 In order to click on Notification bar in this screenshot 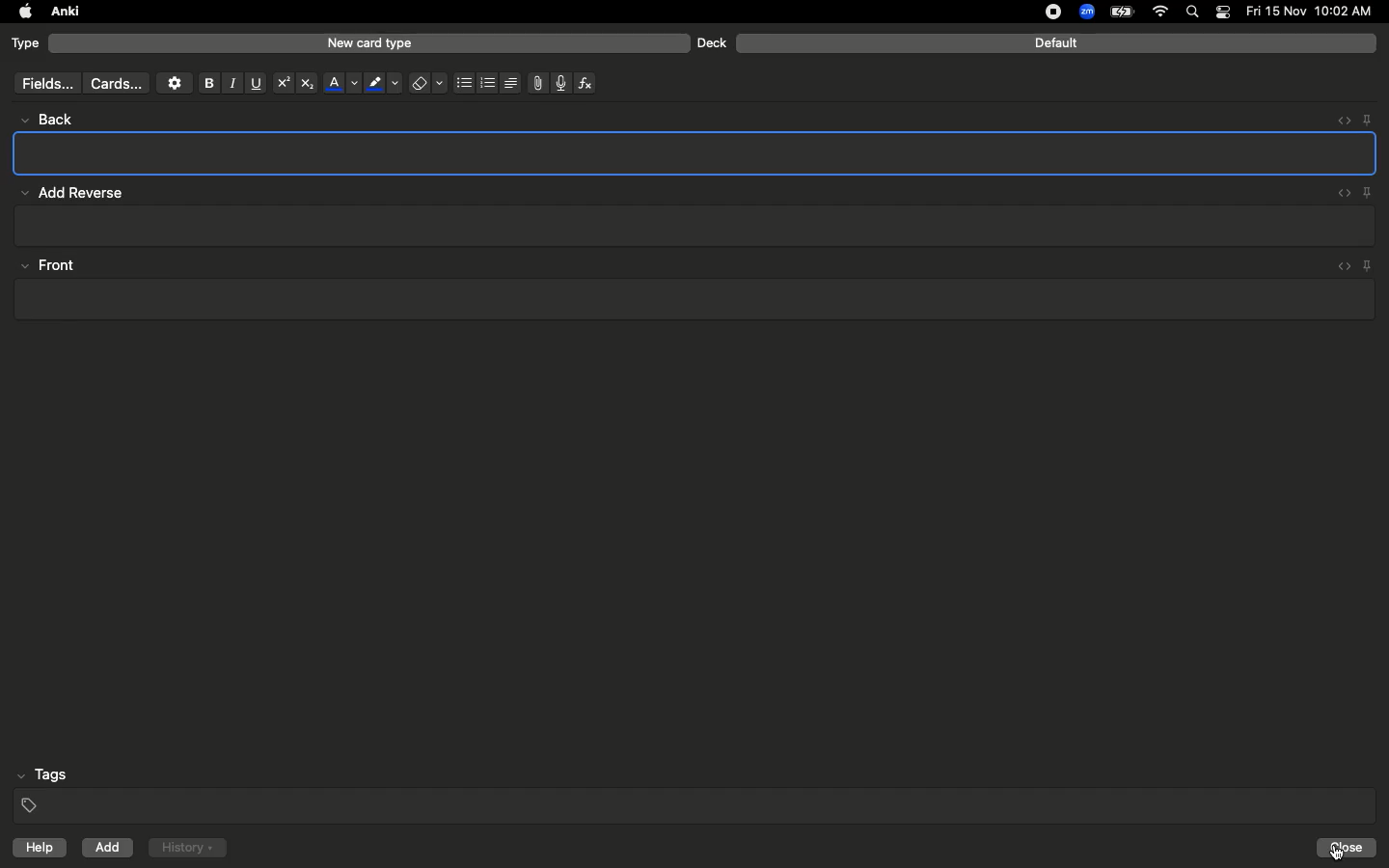, I will do `click(1223, 13)`.